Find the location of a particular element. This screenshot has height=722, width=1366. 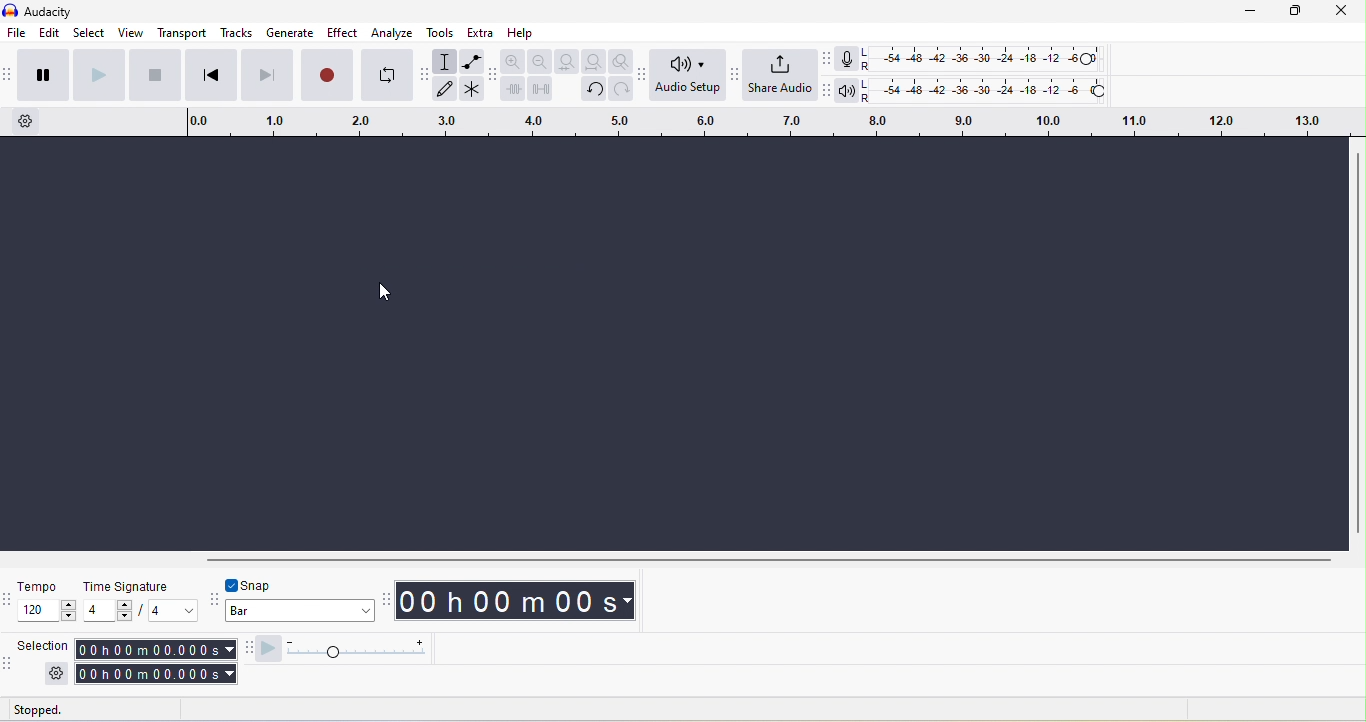

time signature is located at coordinates (128, 587).